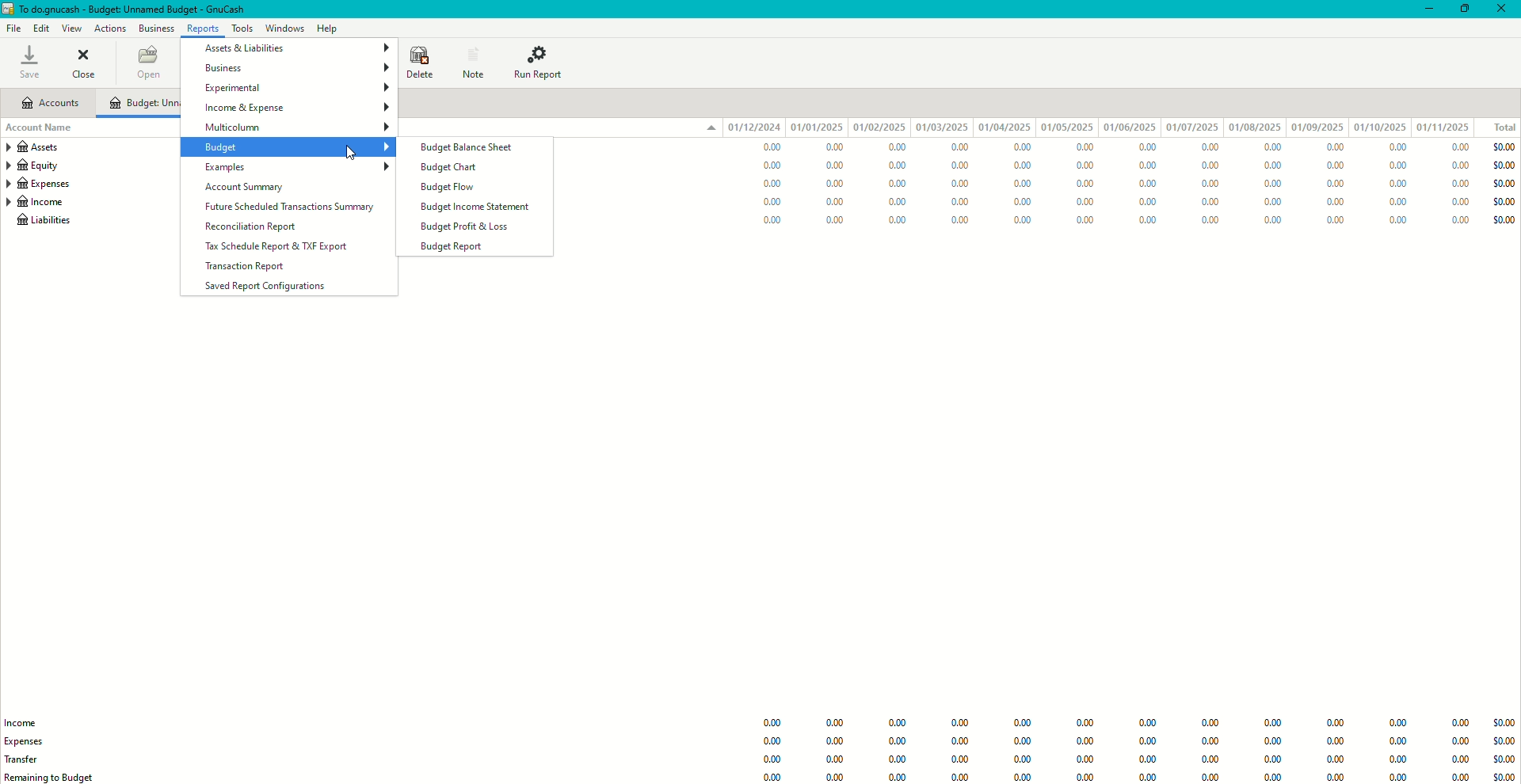 The height and width of the screenshot is (784, 1521). I want to click on 0.00, so click(957, 185).